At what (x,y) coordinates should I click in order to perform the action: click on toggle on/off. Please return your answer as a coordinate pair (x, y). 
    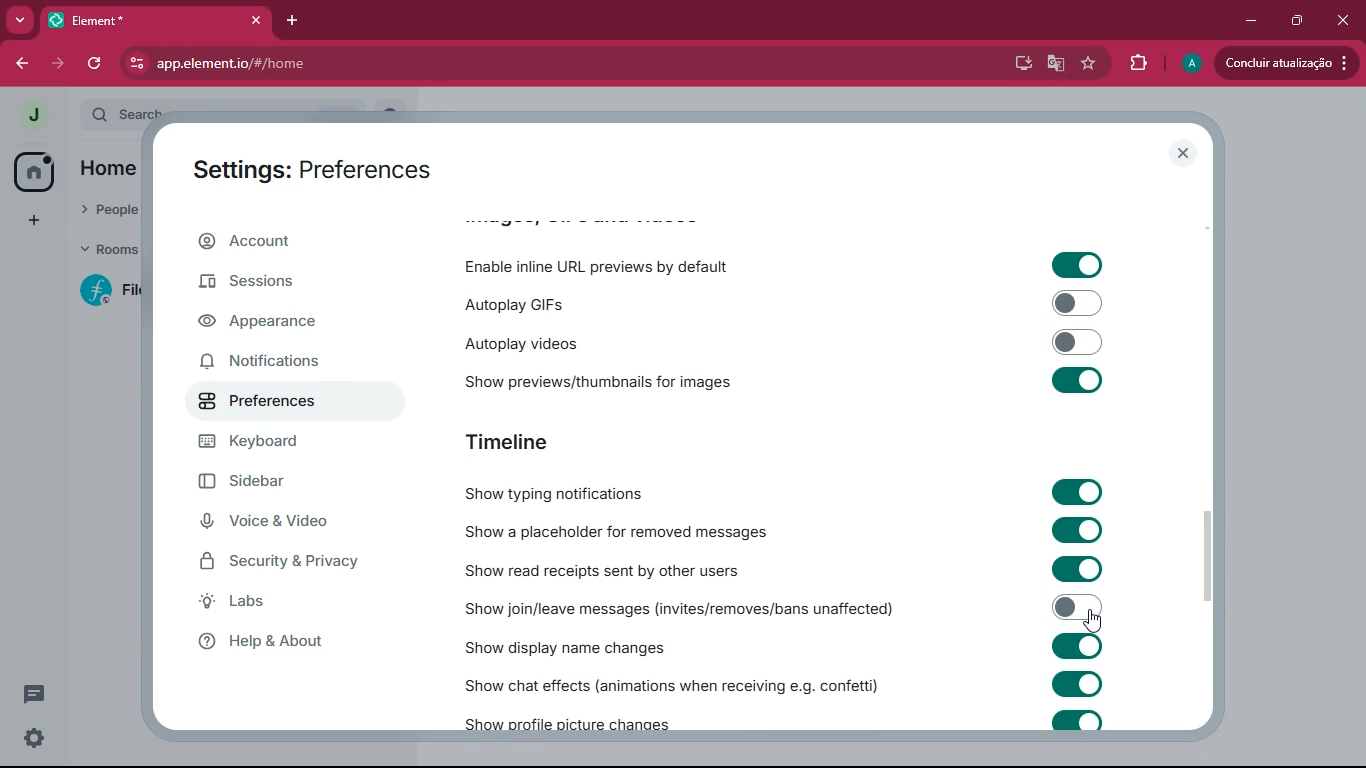
    Looking at the image, I should click on (1078, 529).